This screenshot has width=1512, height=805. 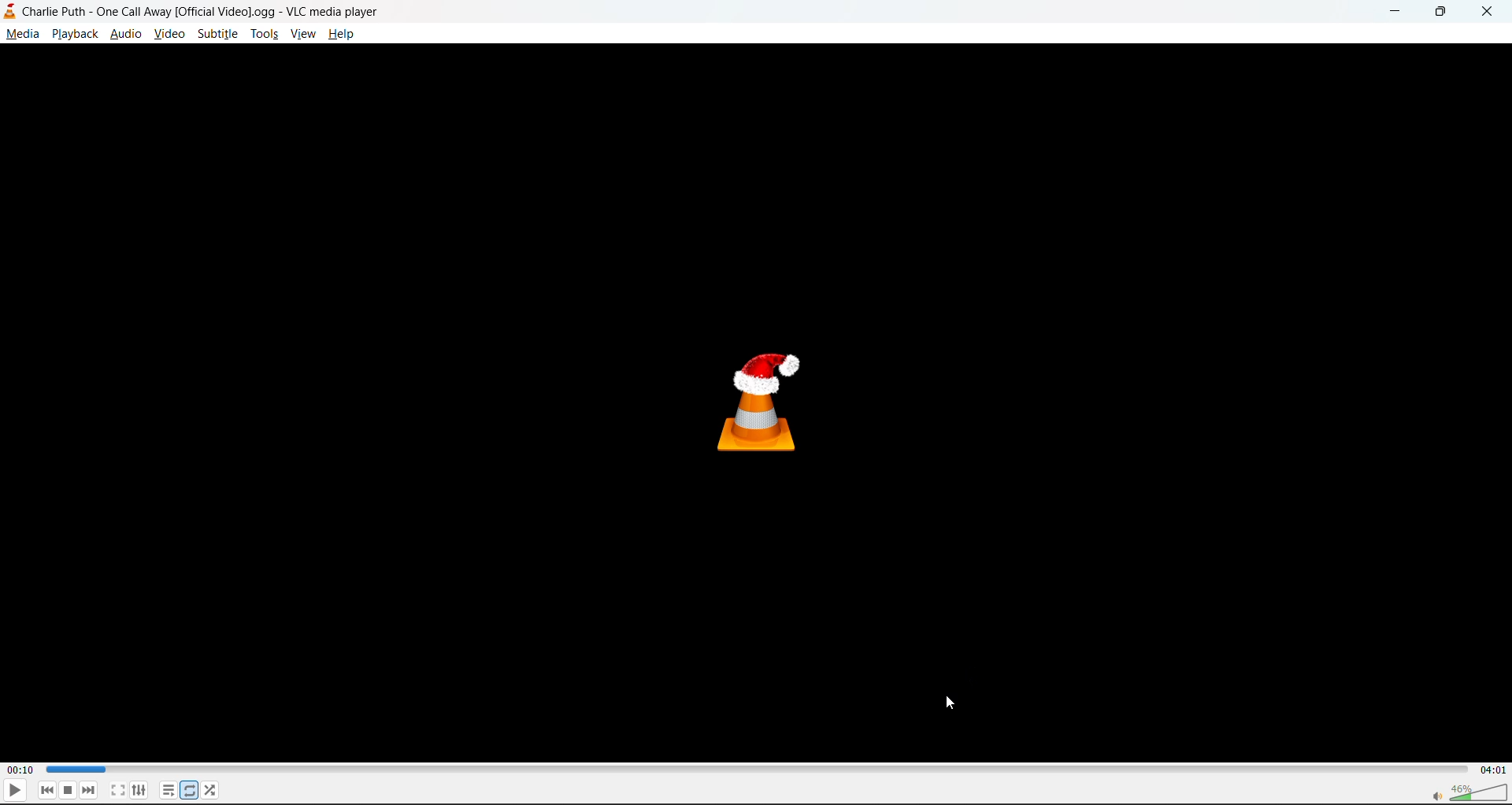 I want to click on maximize, so click(x=1443, y=11).